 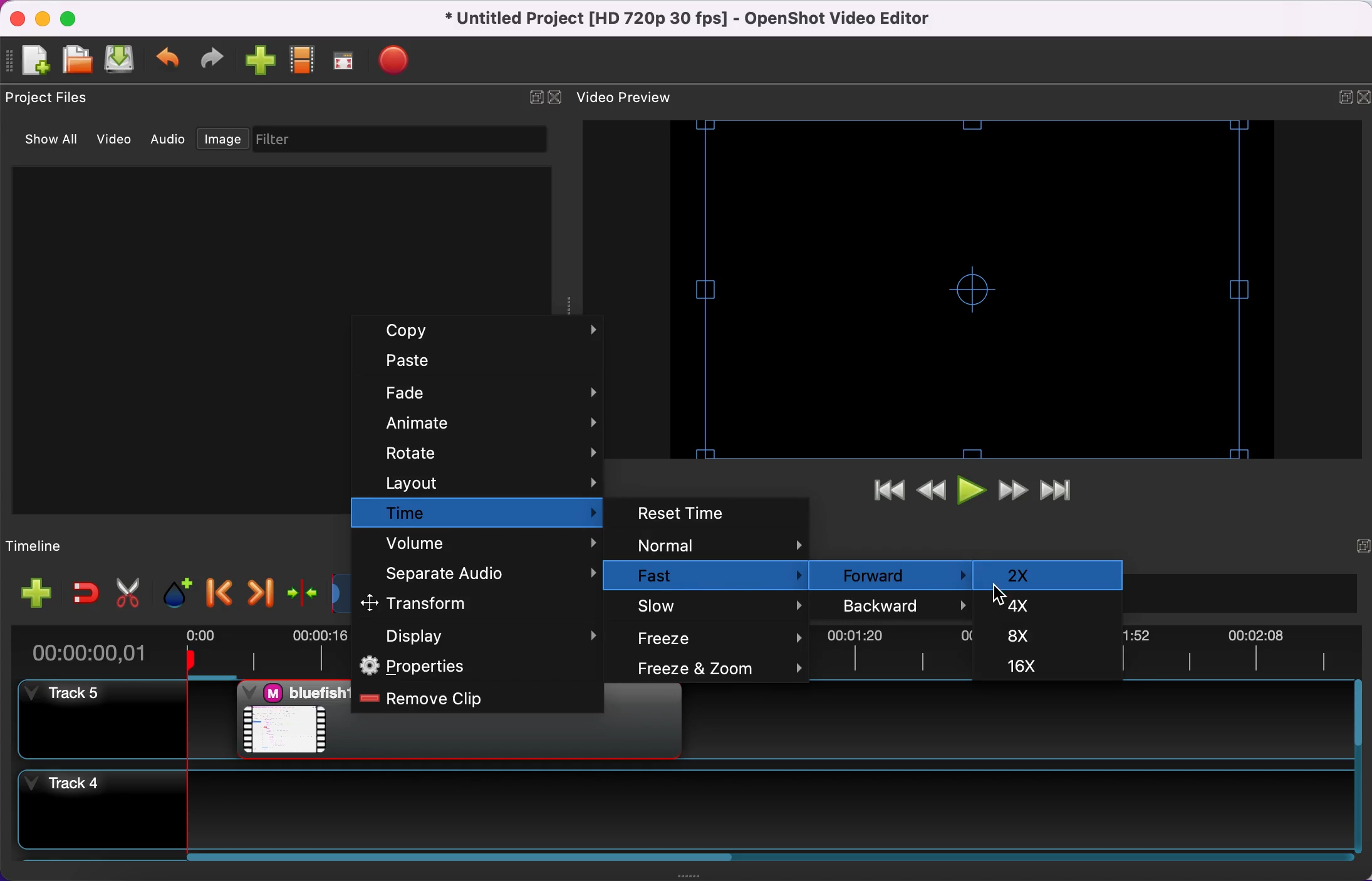 I want to click on close, so click(x=559, y=100).